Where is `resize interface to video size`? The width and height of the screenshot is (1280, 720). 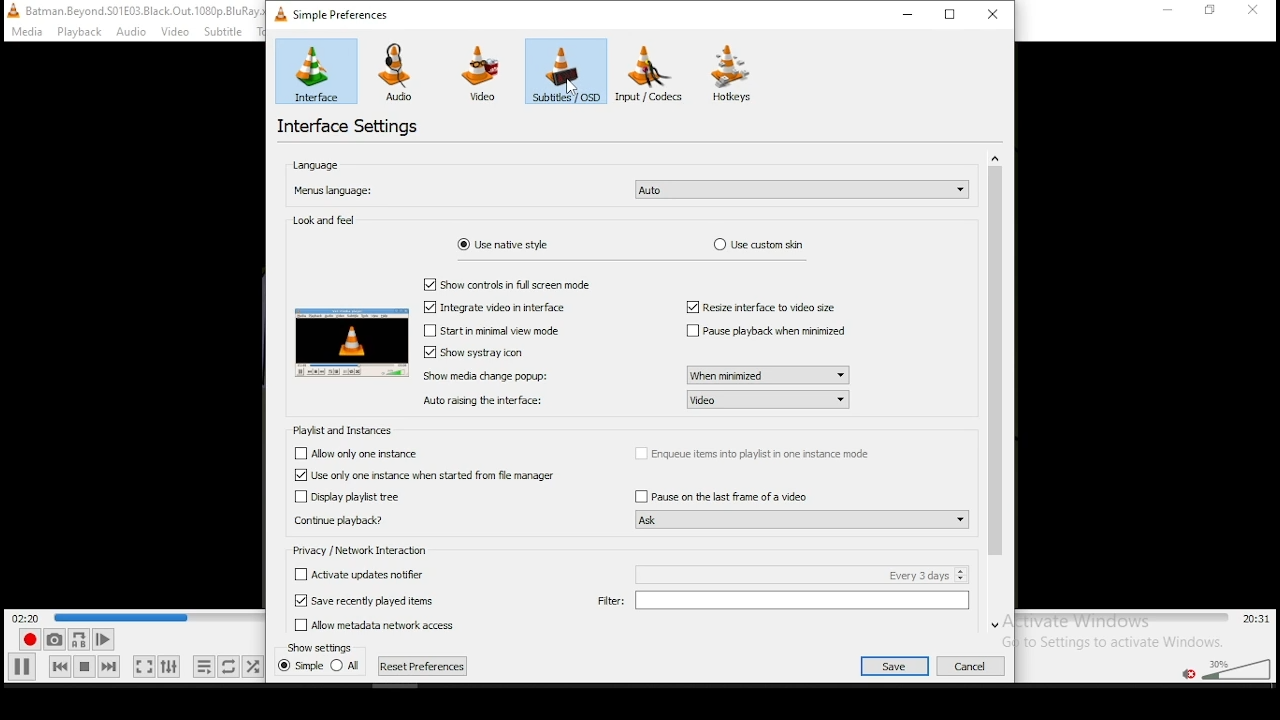
resize interface to video size is located at coordinates (762, 306).